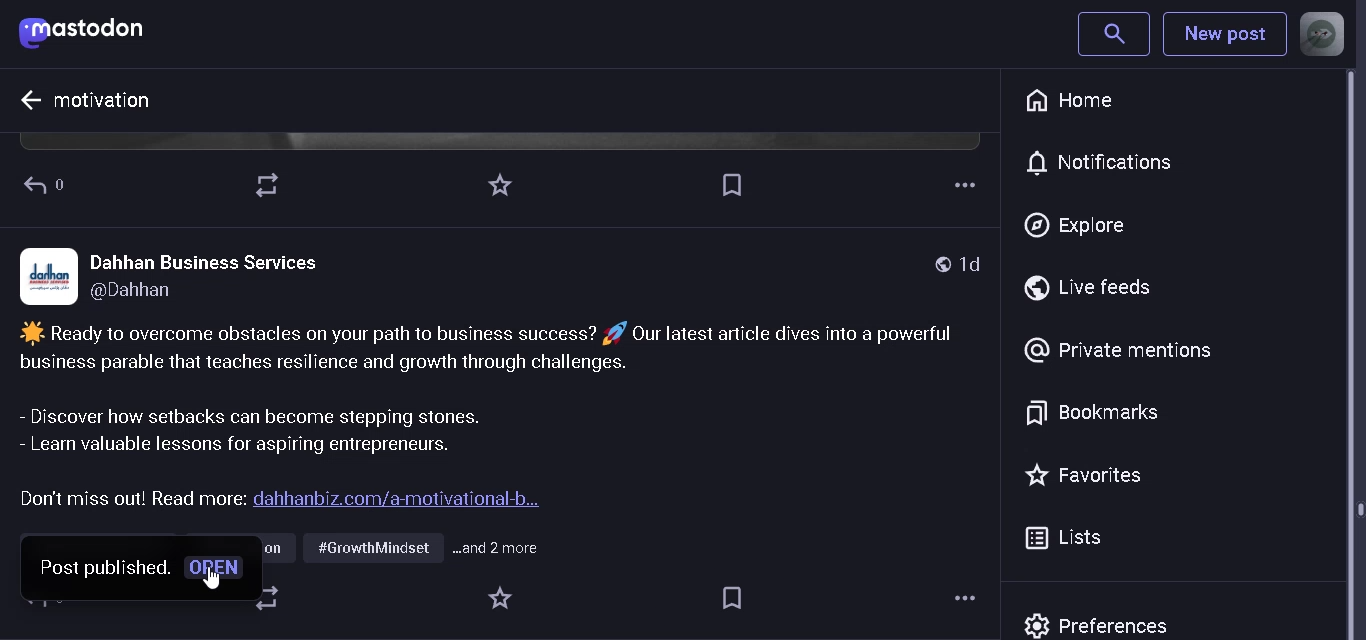 This screenshot has width=1366, height=640. I want to click on home, so click(1076, 101).